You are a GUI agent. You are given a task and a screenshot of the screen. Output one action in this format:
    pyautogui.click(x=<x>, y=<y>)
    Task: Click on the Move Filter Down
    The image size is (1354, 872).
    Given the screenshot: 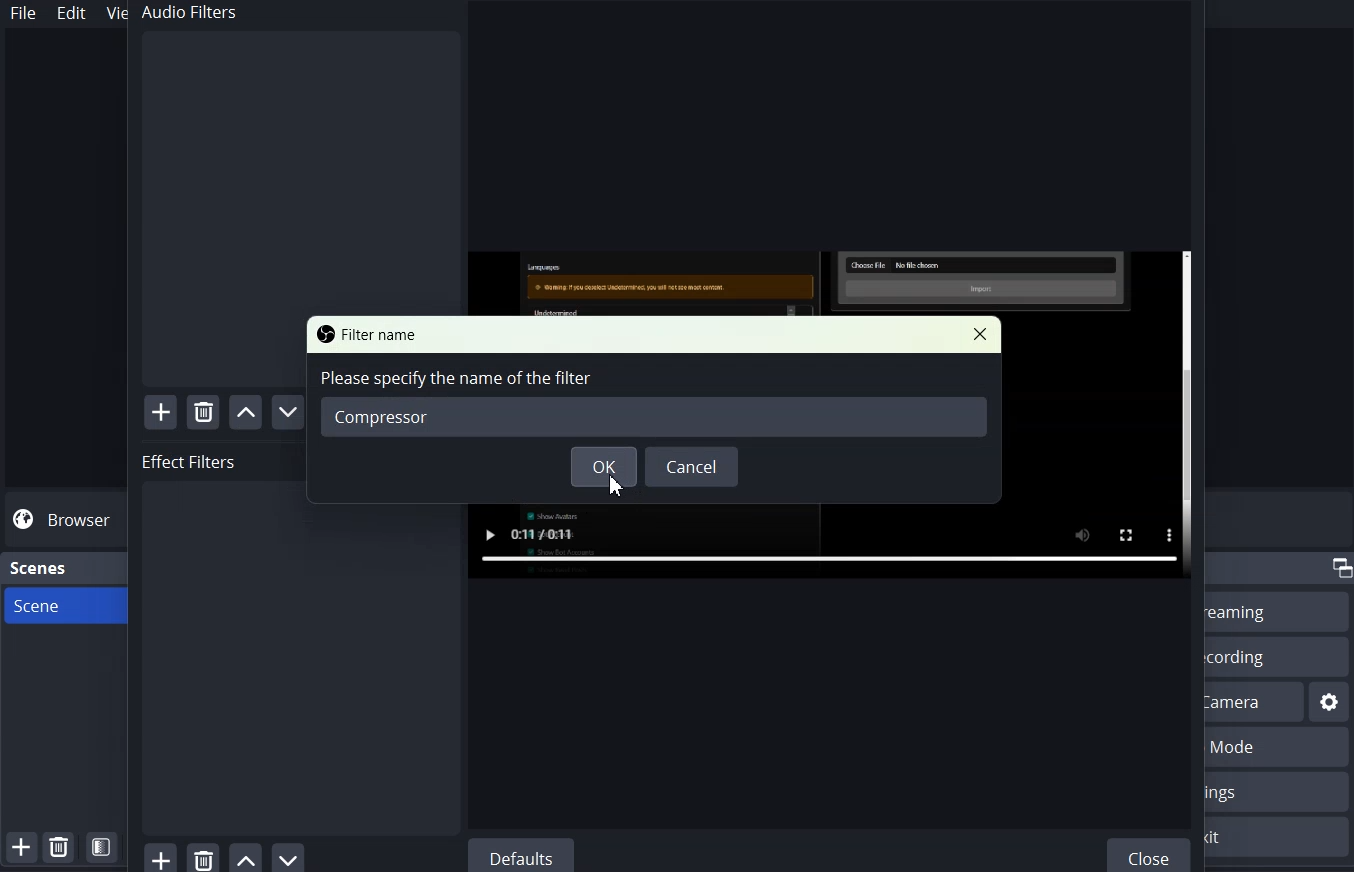 What is the action you would take?
    pyautogui.click(x=291, y=412)
    